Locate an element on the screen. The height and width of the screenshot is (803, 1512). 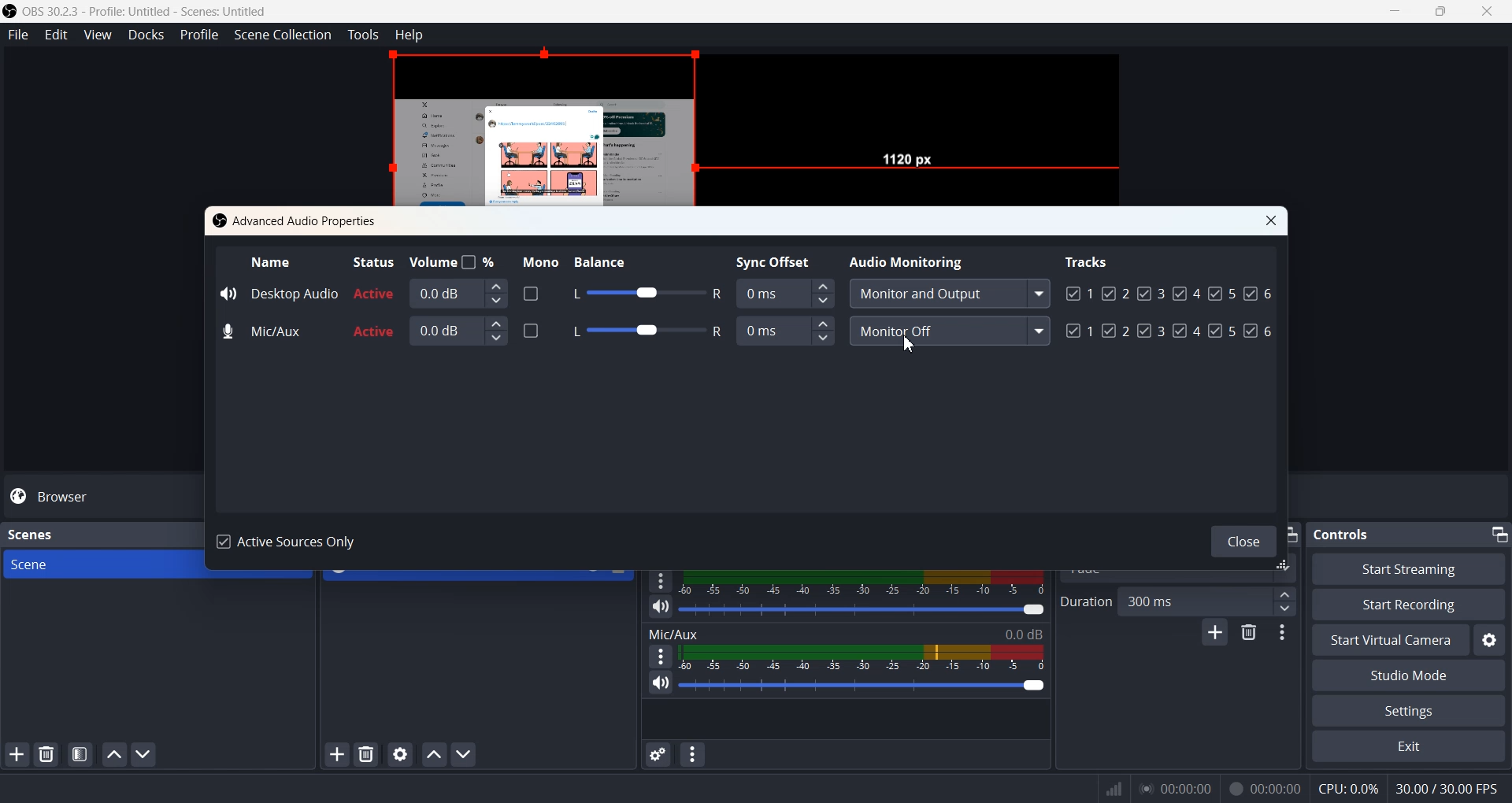
Open source properties is located at coordinates (402, 753).